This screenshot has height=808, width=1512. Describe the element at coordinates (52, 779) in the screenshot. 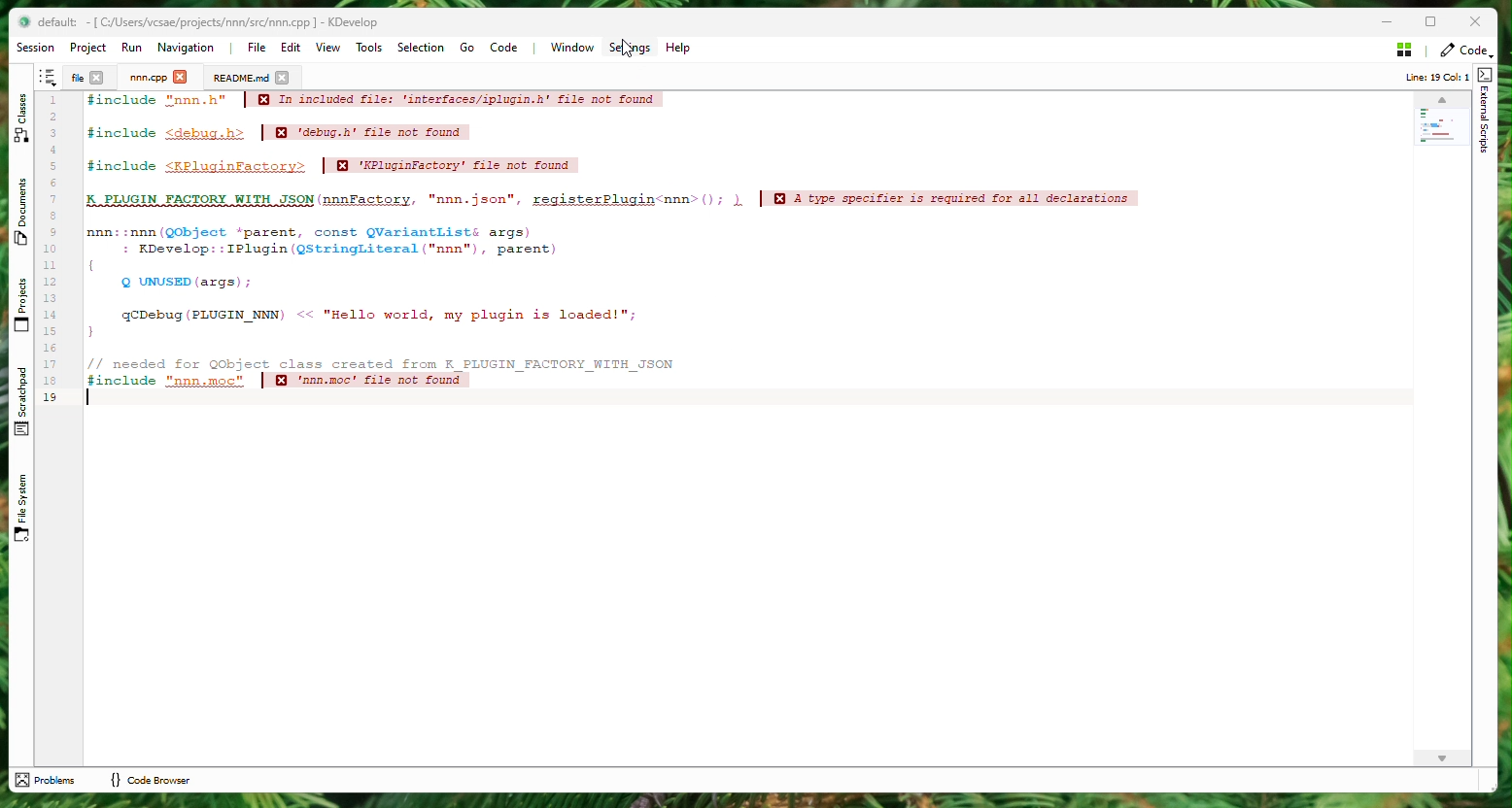

I see `problems` at that location.